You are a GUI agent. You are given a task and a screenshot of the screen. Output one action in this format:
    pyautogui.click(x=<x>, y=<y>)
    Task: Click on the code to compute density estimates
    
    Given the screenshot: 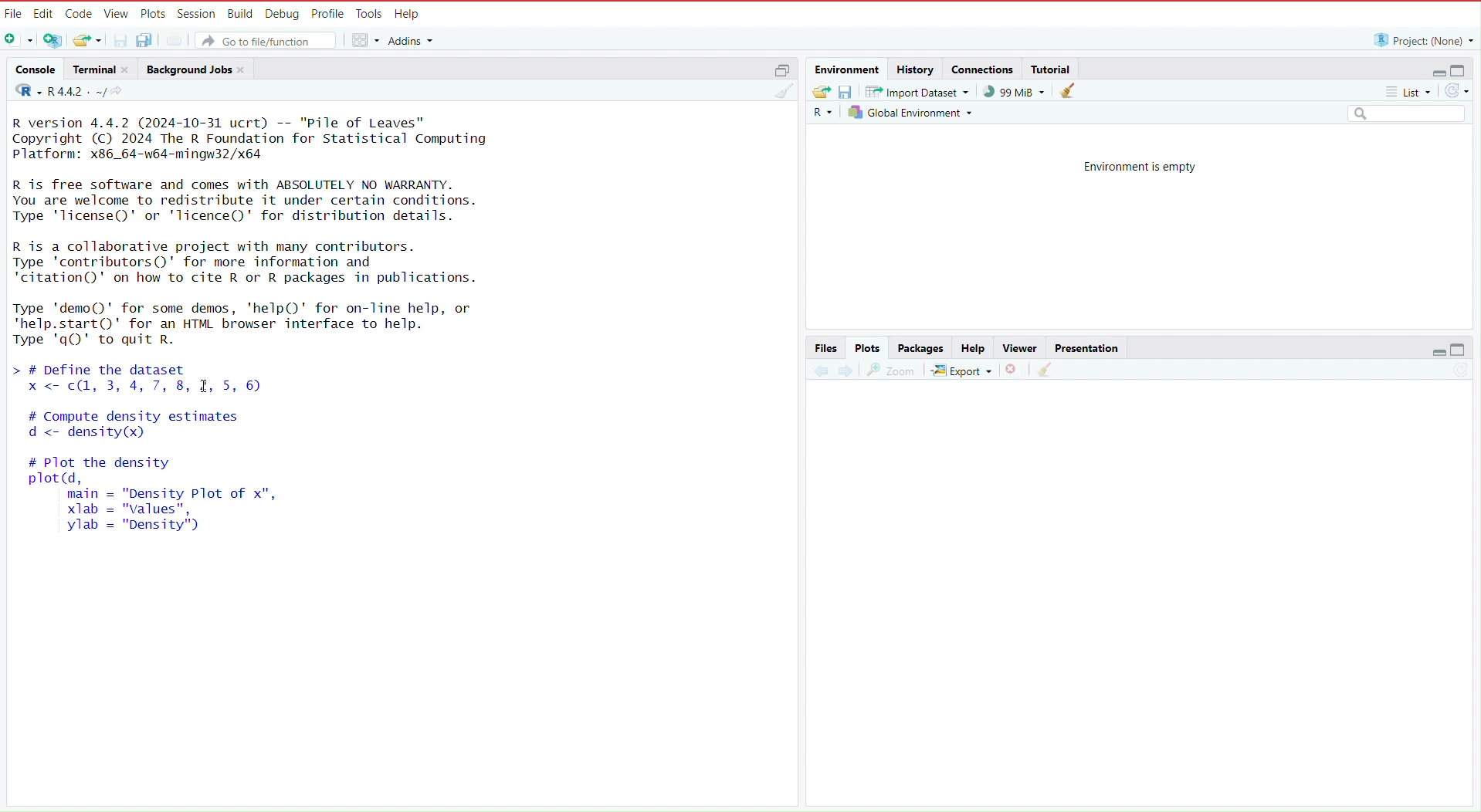 What is the action you would take?
    pyautogui.click(x=174, y=428)
    